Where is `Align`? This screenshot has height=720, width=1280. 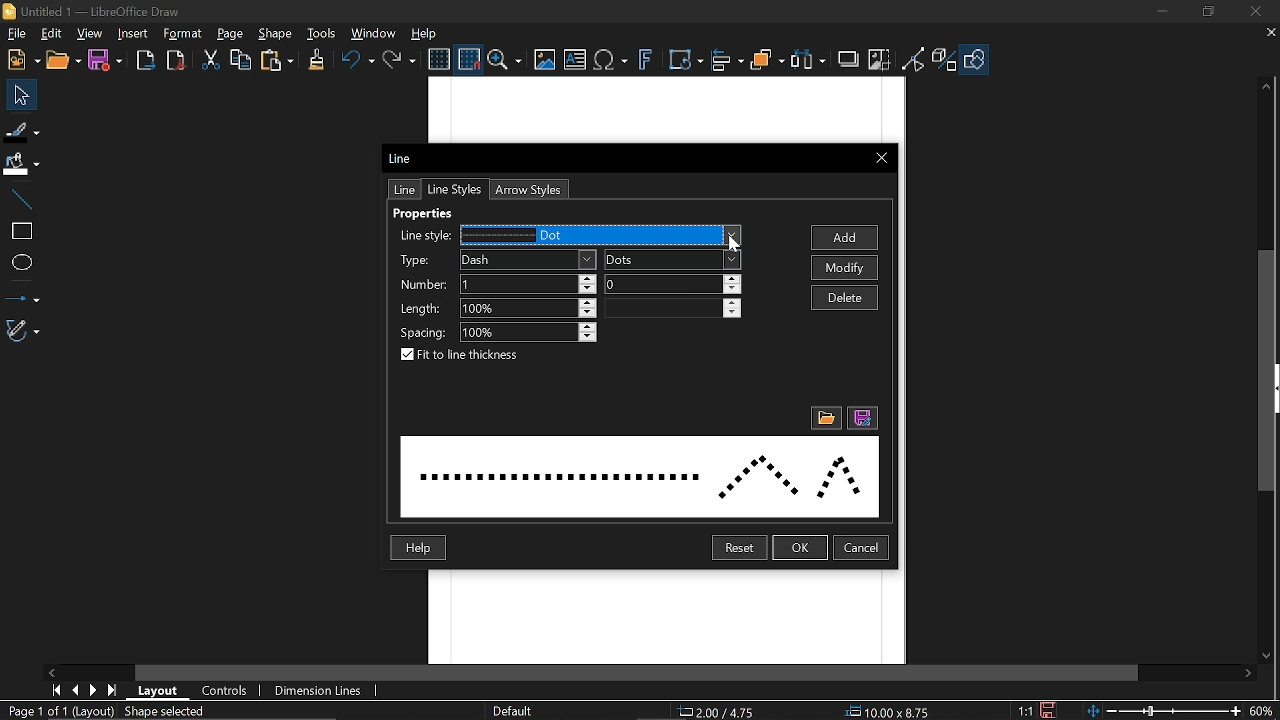 Align is located at coordinates (728, 61).